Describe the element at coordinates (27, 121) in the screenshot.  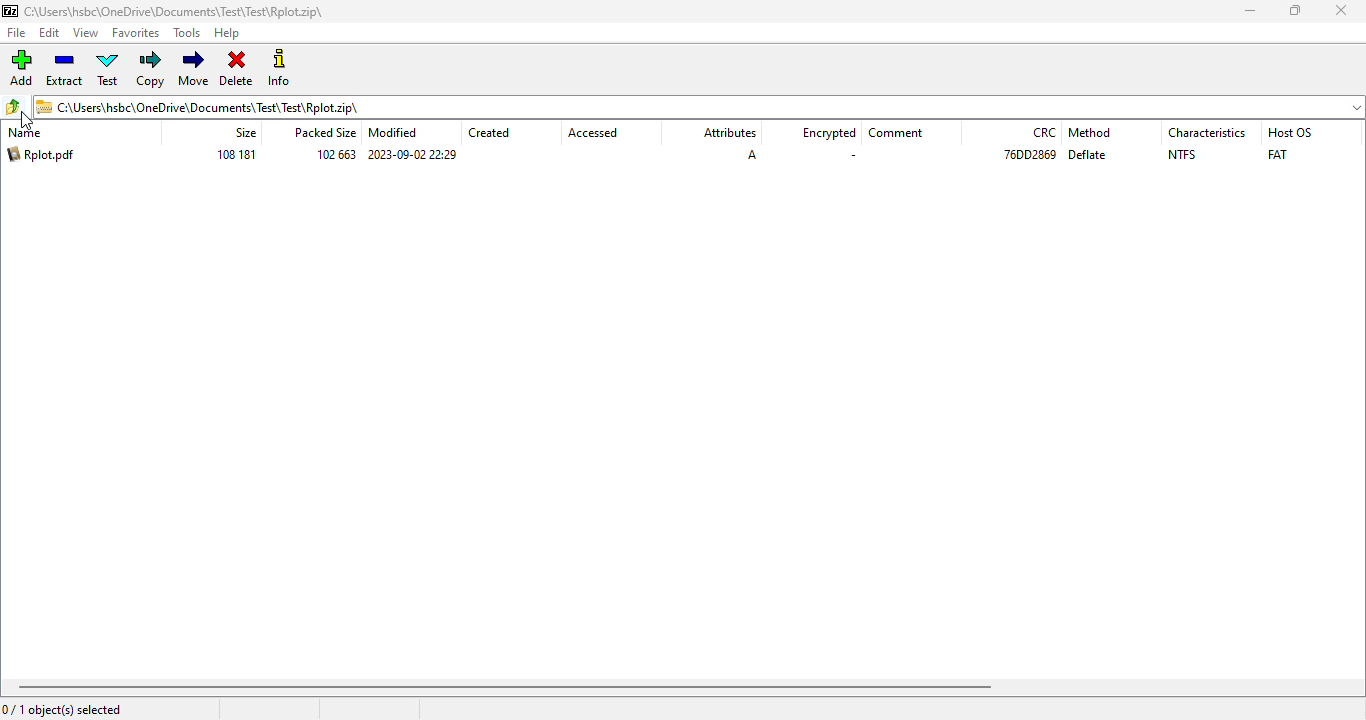
I see `cursor` at that location.